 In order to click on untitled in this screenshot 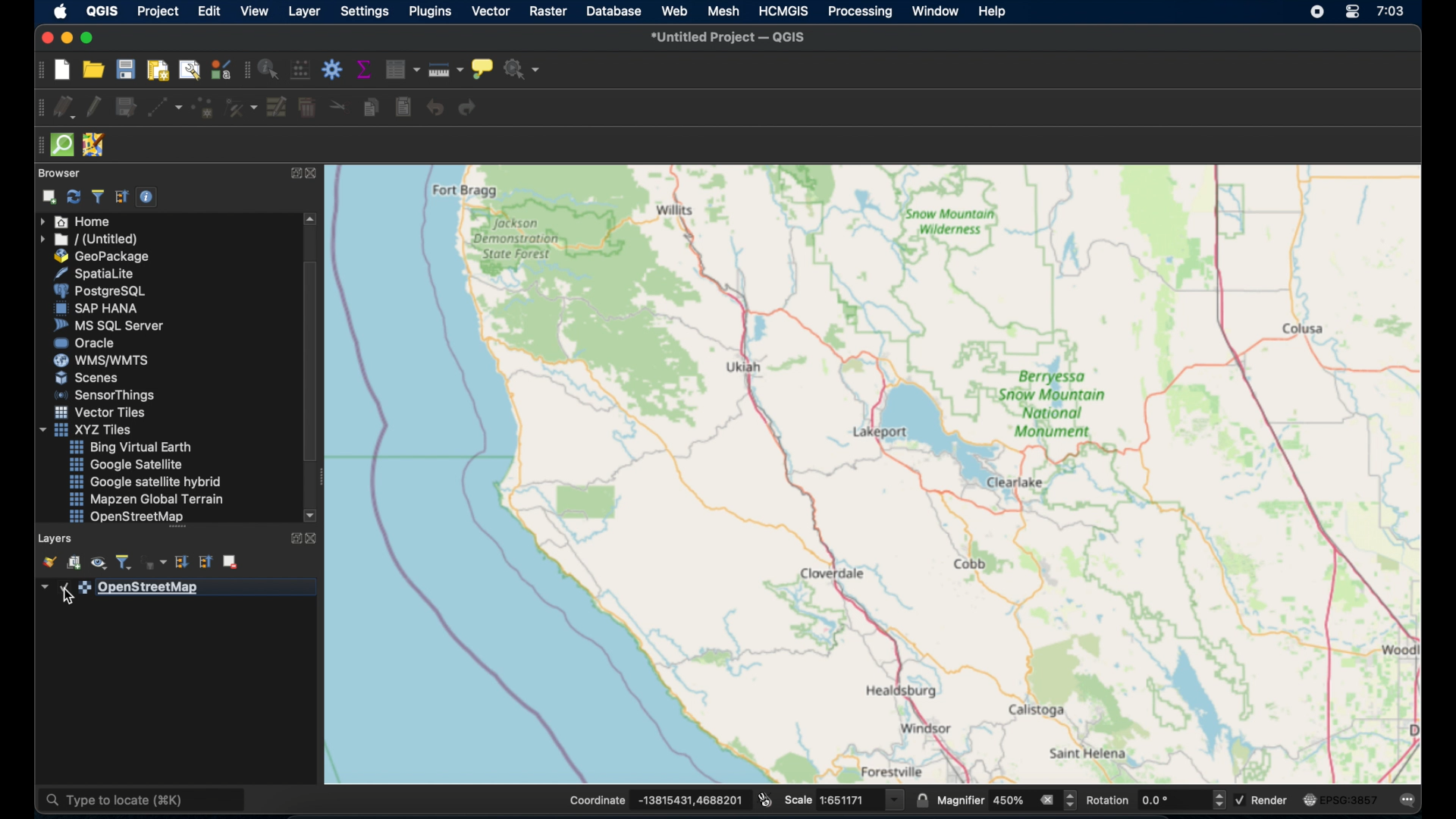, I will do `click(92, 238)`.